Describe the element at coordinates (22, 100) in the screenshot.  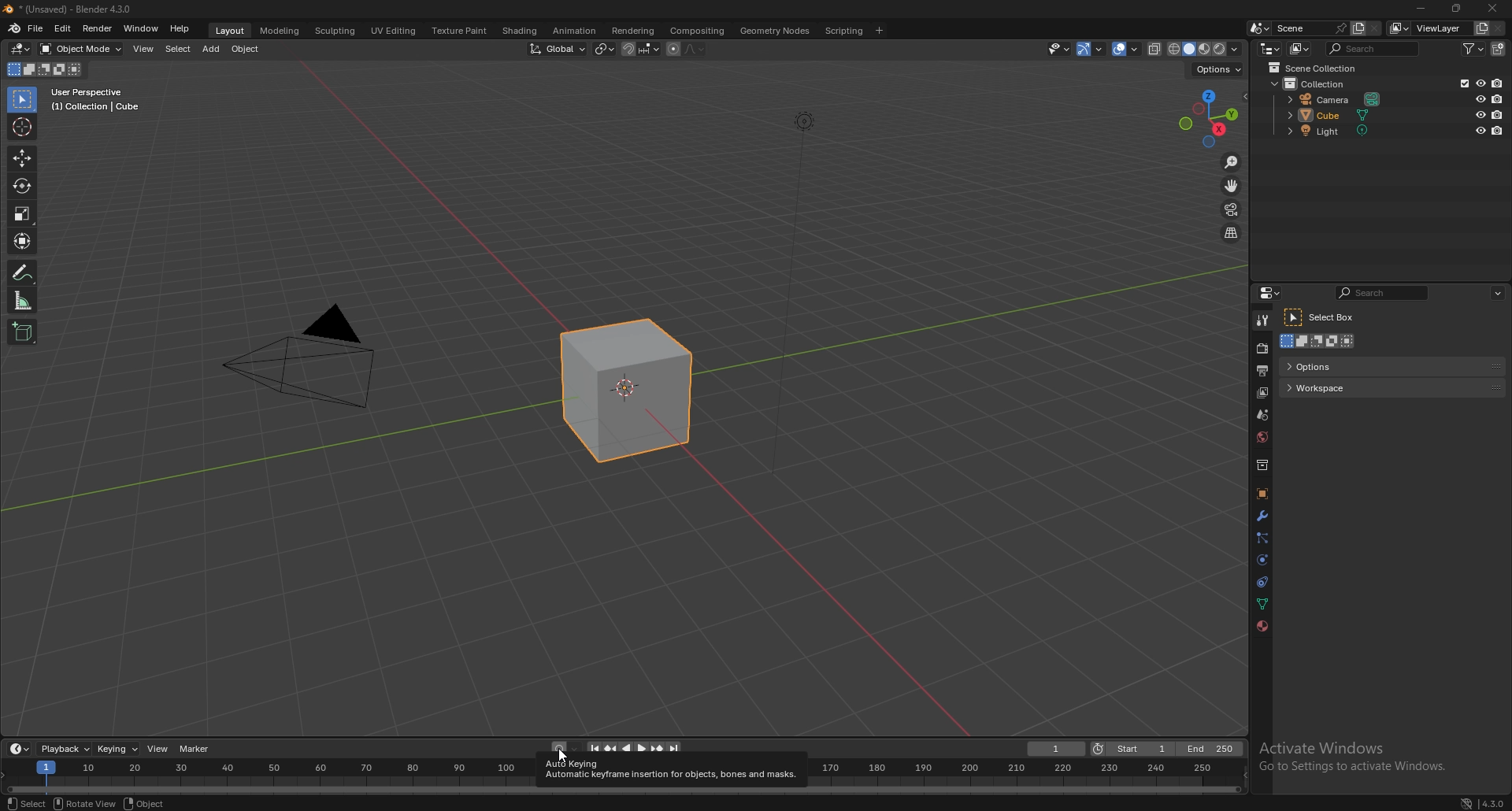
I see `selector` at that location.